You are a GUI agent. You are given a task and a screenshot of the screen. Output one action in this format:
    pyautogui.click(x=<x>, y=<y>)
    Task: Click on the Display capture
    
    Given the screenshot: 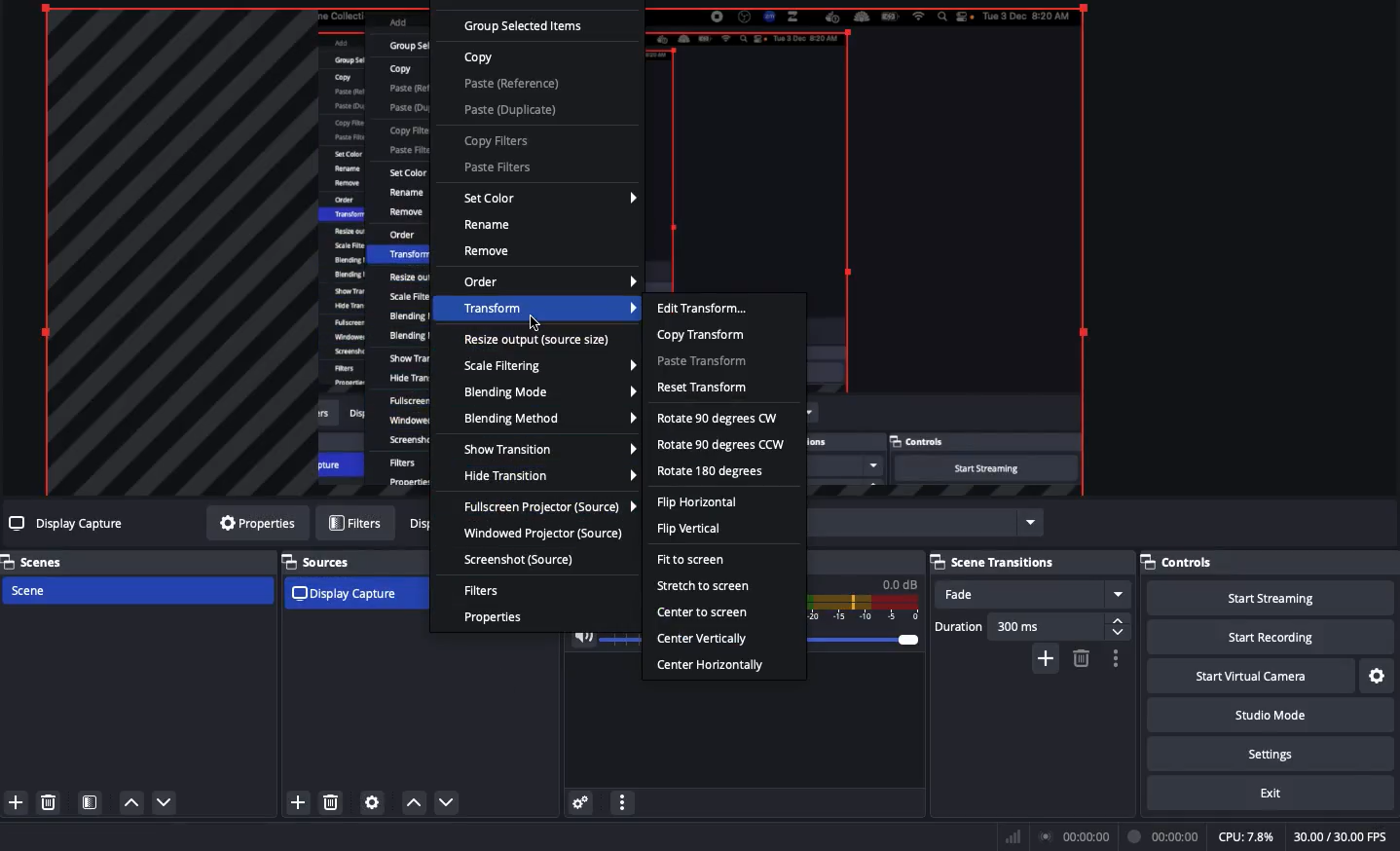 What is the action you would take?
    pyautogui.click(x=350, y=595)
    